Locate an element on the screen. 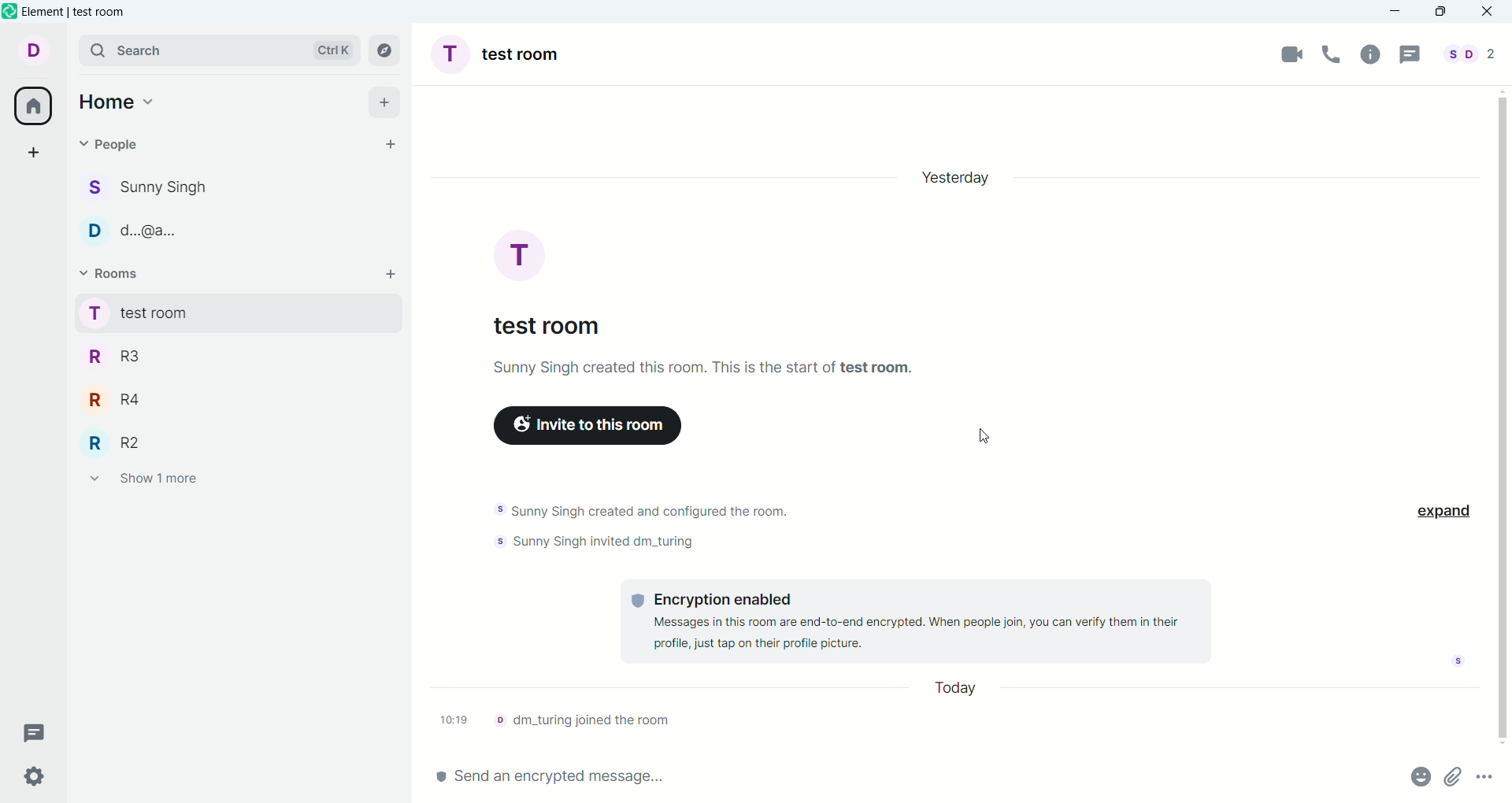 The height and width of the screenshot is (803, 1512). R3 is located at coordinates (236, 357).